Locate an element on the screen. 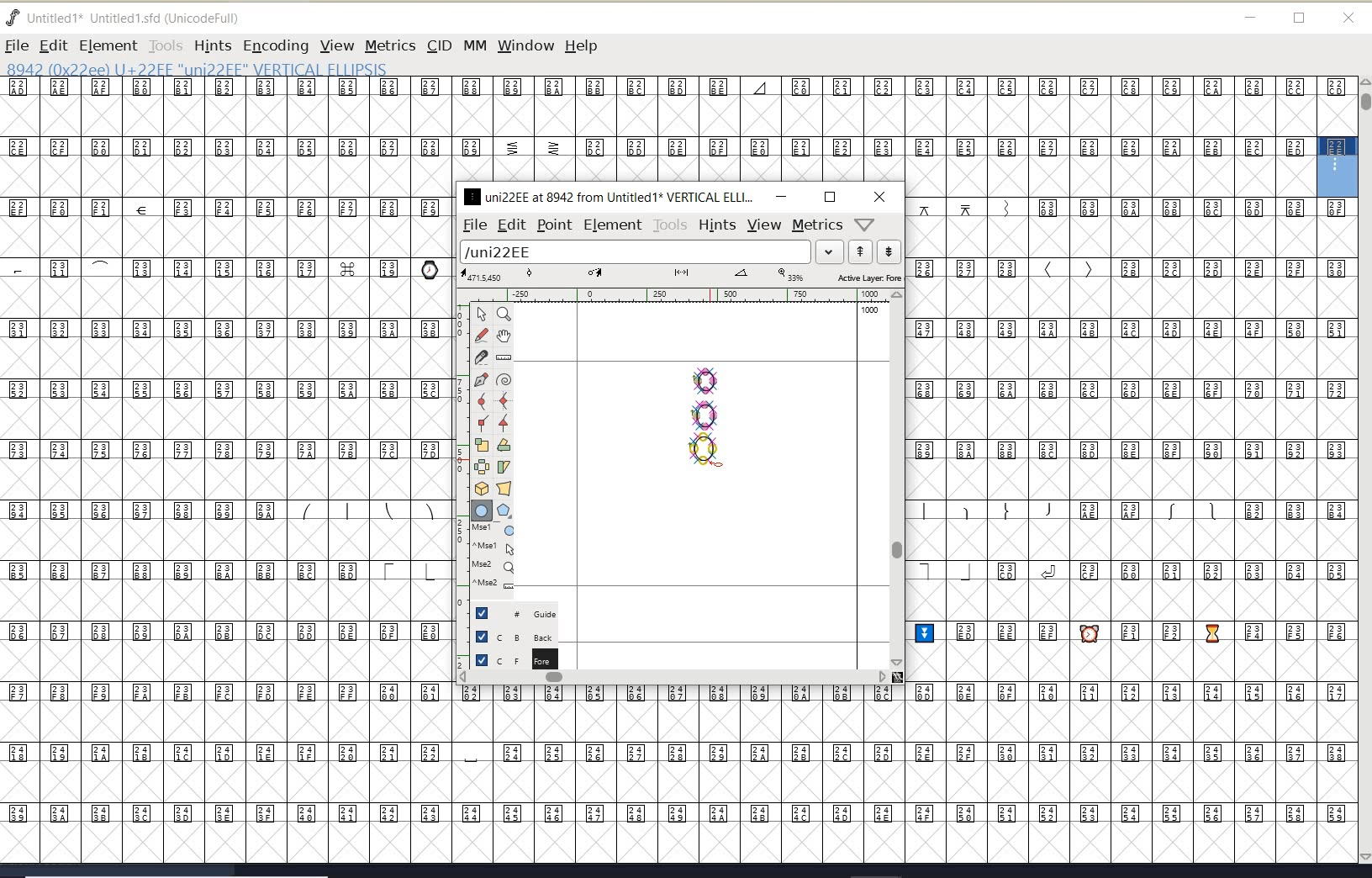 Image resolution: width=1372 pixels, height=878 pixels. ELEMENT is located at coordinates (108, 45).